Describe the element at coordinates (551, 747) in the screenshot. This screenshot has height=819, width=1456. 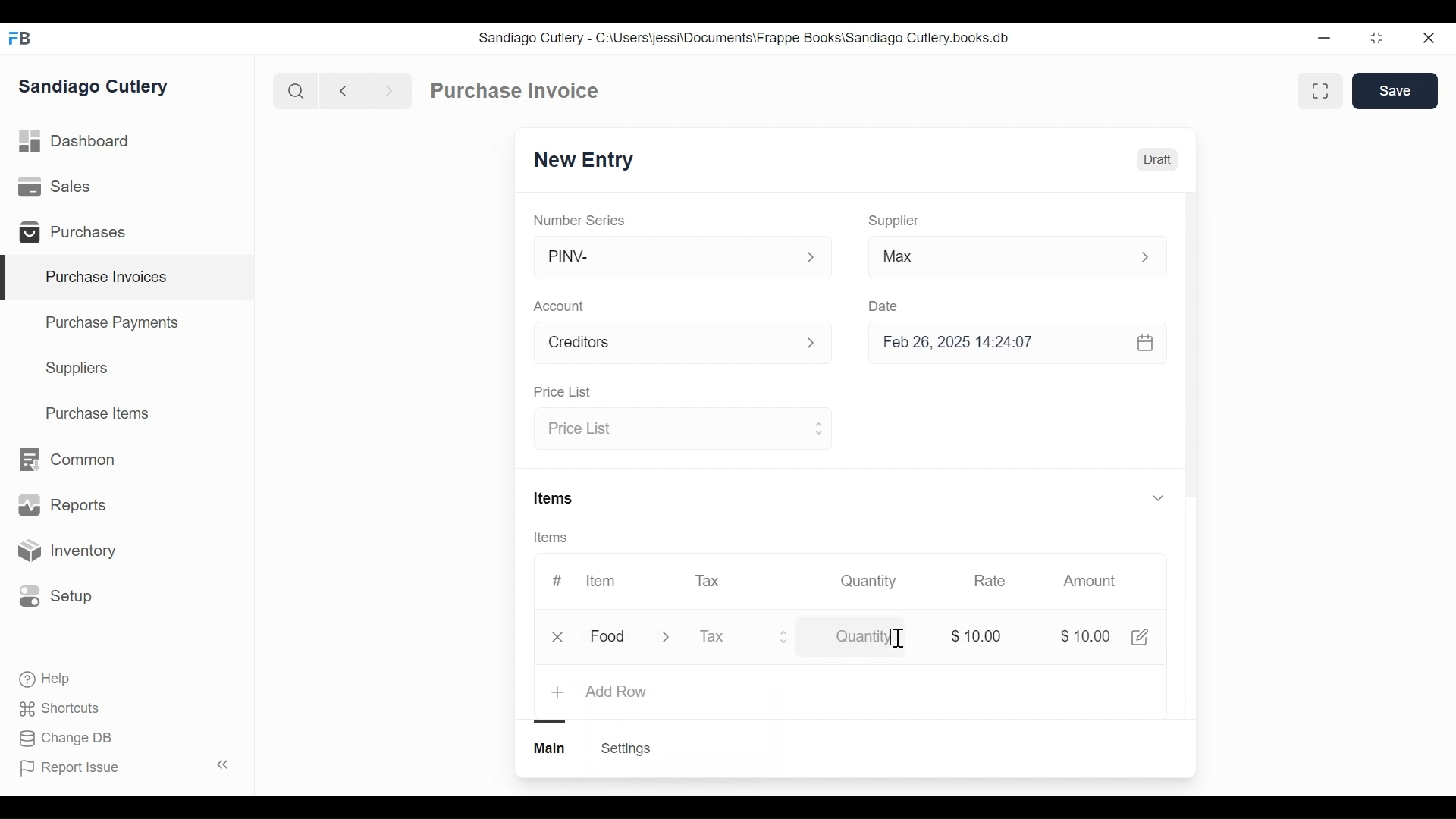
I see `Main` at that location.